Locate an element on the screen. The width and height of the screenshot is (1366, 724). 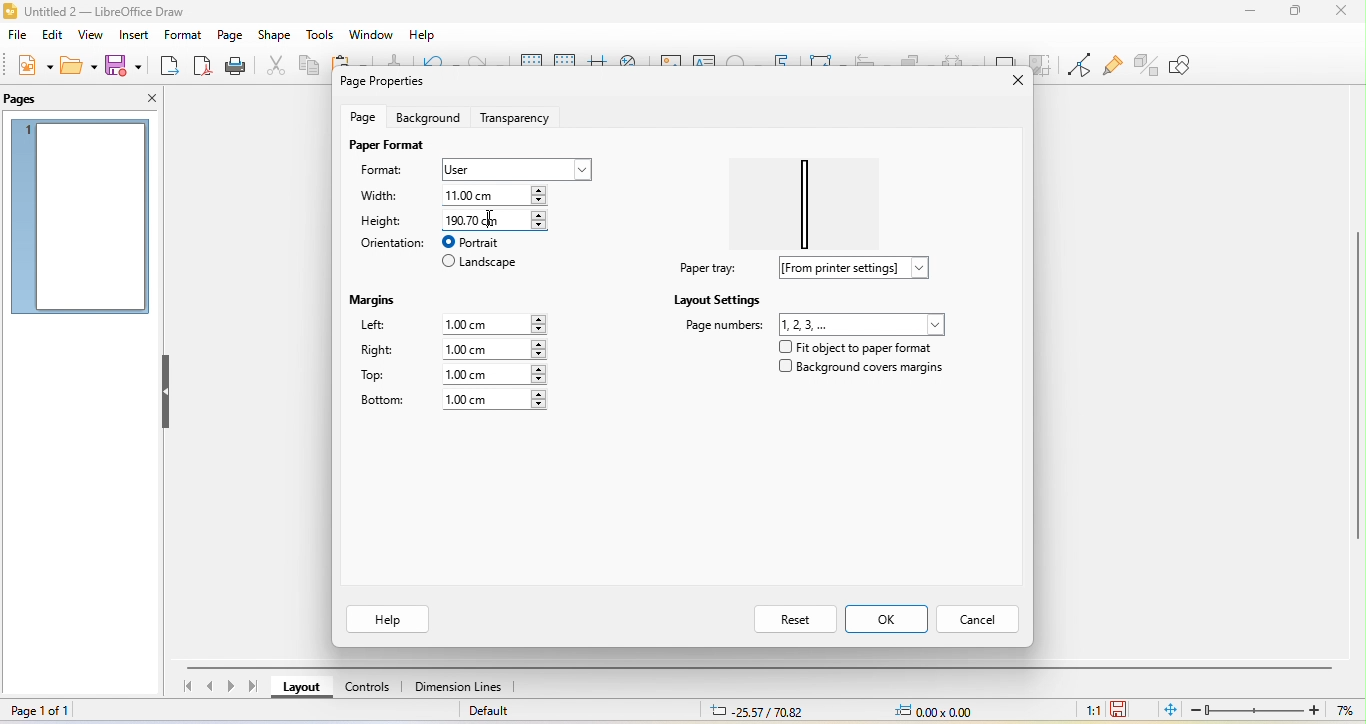
bottom is located at coordinates (382, 401).